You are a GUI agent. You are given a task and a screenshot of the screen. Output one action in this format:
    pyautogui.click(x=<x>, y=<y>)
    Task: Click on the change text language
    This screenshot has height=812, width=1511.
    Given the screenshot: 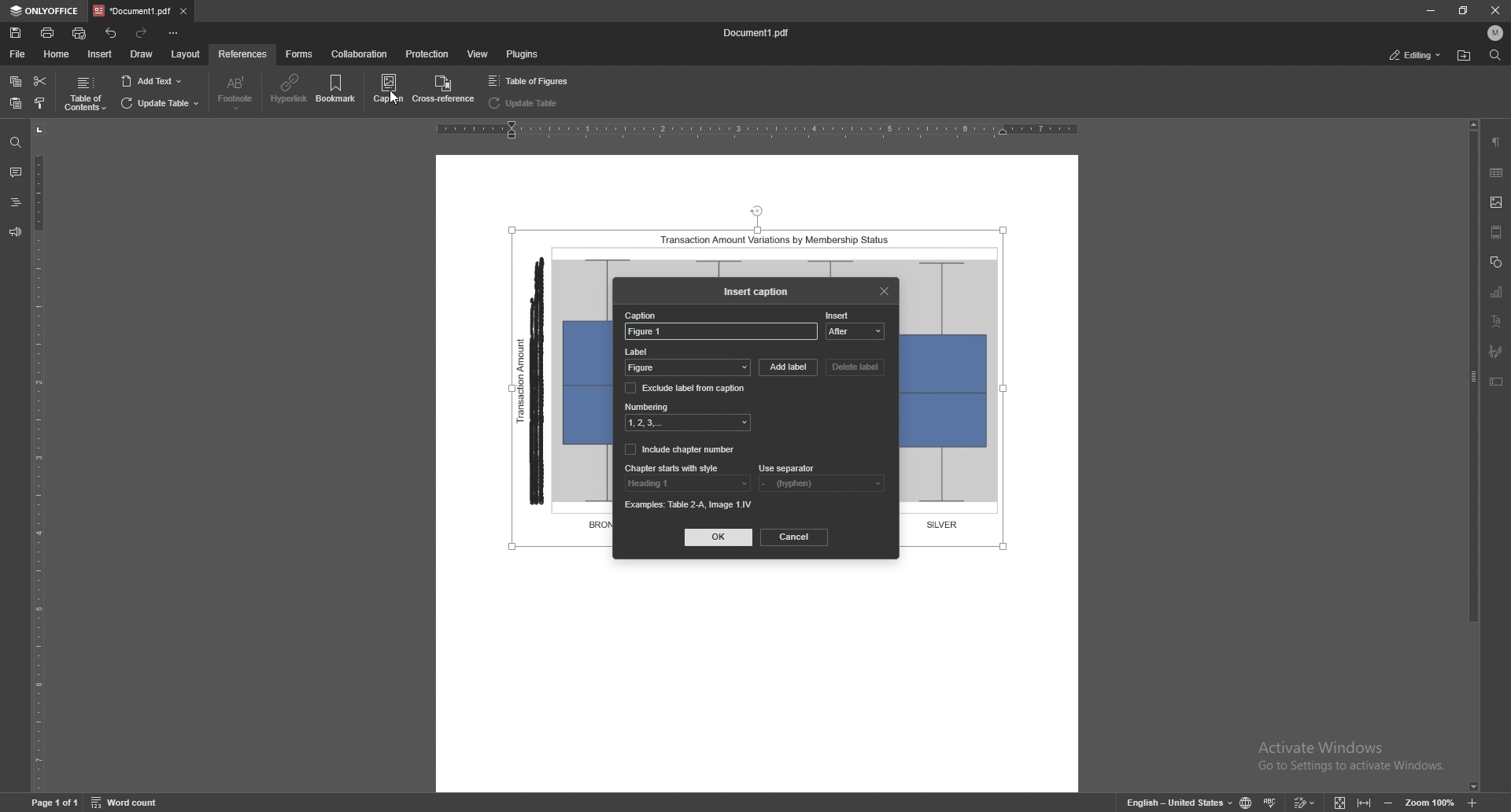 What is the action you would take?
    pyautogui.click(x=1178, y=800)
    